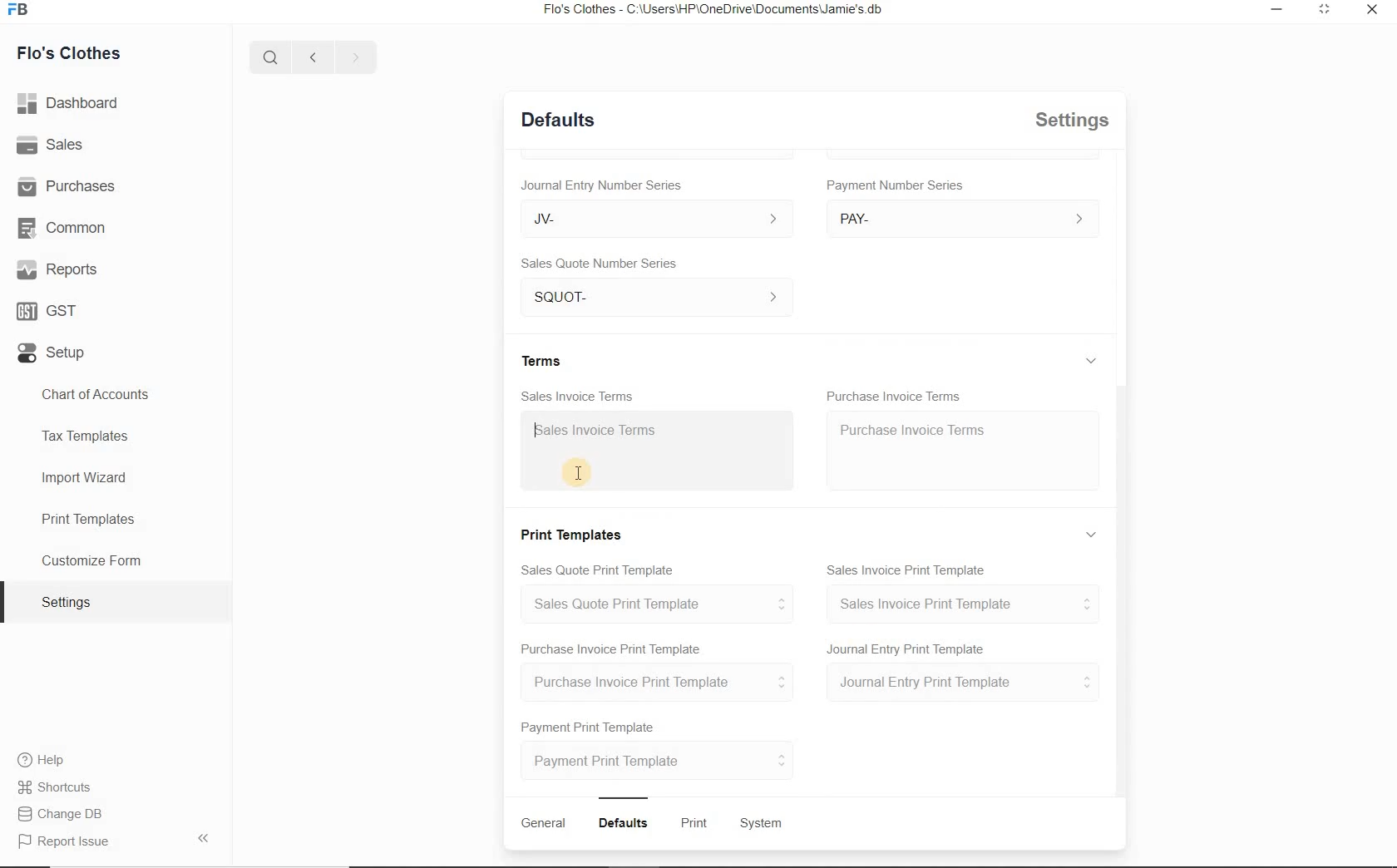 The image size is (1397, 868). What do you see at coordinates (115, 439) in the screenshot?
I see `Tax Templates` at bounding box center [115, 439].